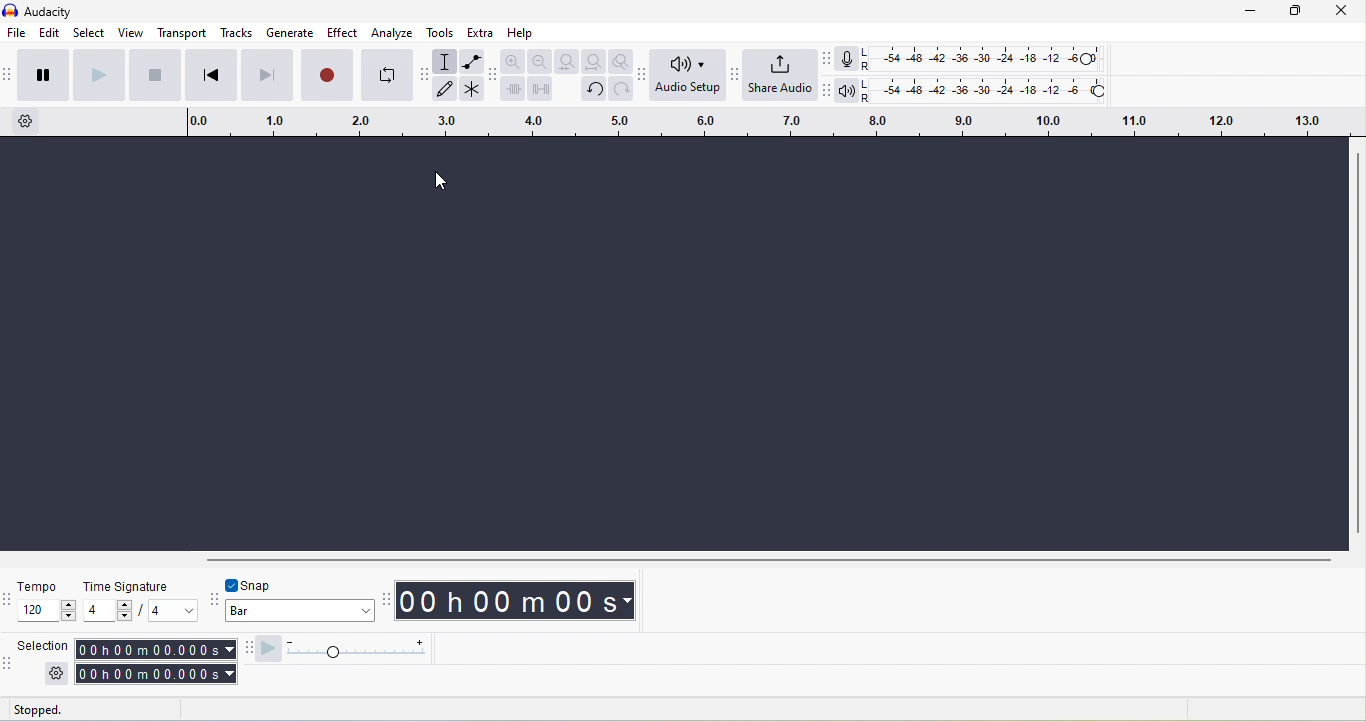 The width and height of the screenshot is (1366, 722). What do you see at coordinates (343, 34) in the screenshot?
I see `effect` at bounding box center [343, 34].